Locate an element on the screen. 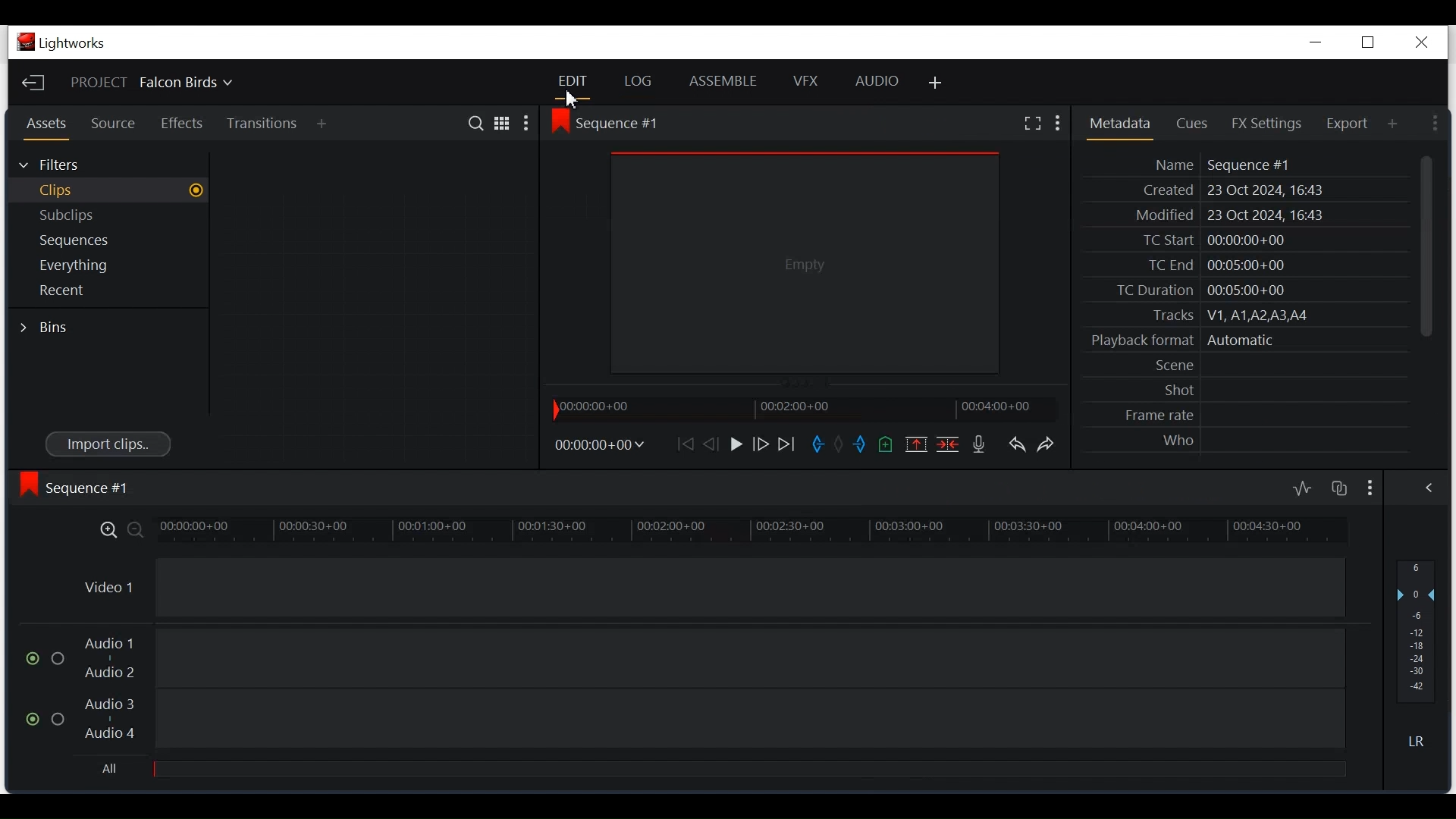 The height and width of the screenshot is (819, 1456). Show/change current project details is located at coordinates (169, 84).